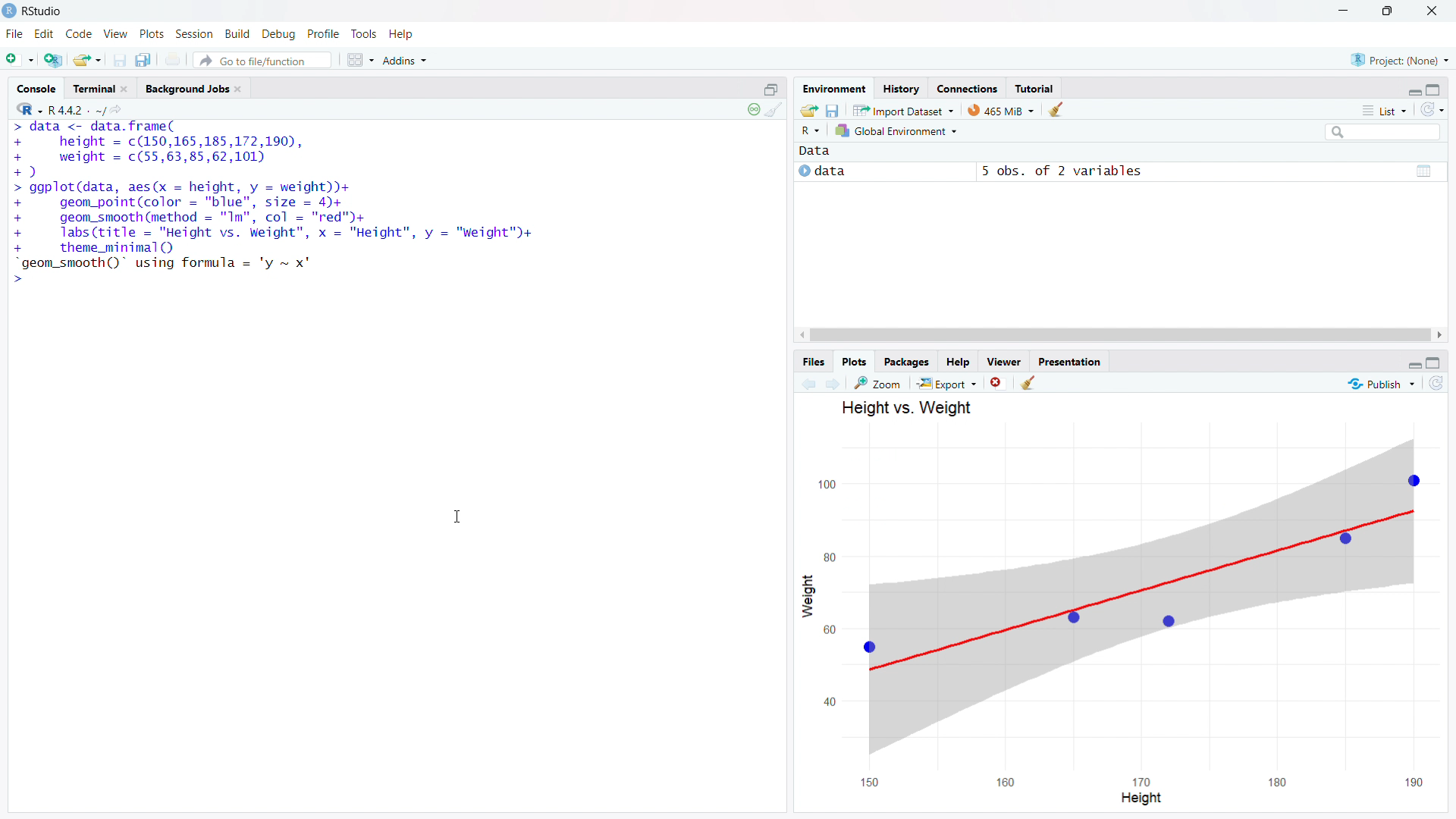  Describe the element at coordinates (774, 110) in the screenshot. I see `clear console` at that location.